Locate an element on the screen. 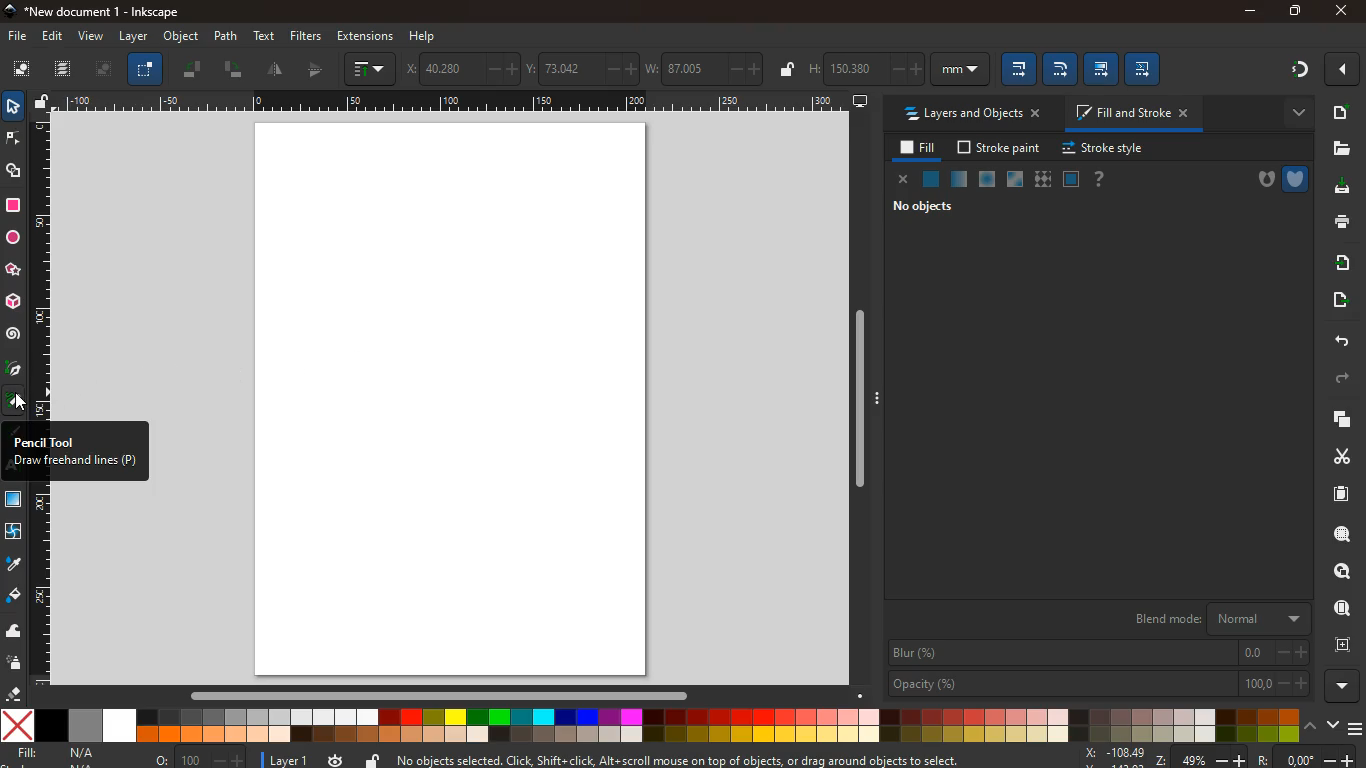 Image resolution: width=1366 pixels, height=768 pixels. spray is located at coordinates (18, 663).